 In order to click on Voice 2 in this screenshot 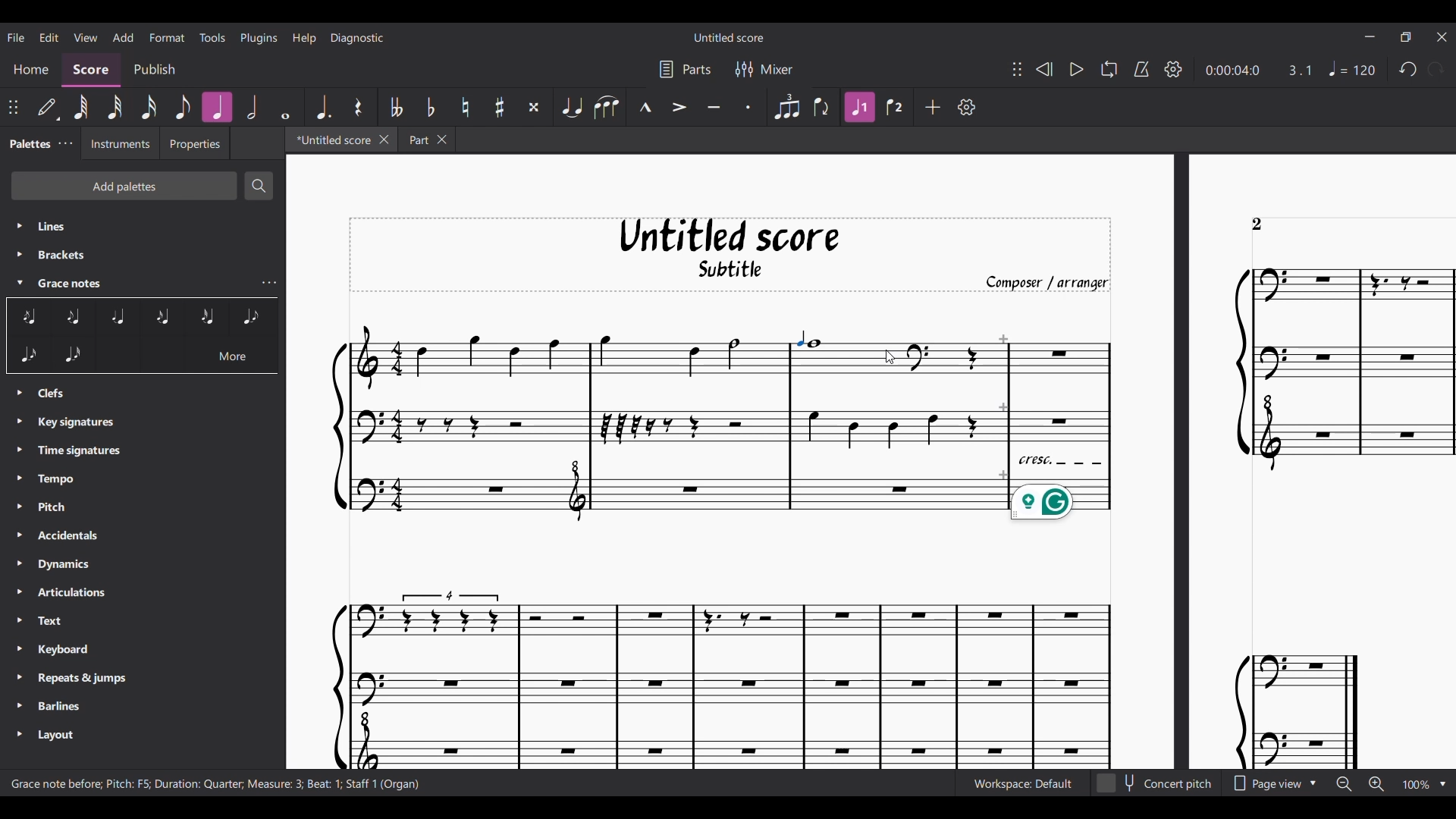, I will do `click(896, 107)`.